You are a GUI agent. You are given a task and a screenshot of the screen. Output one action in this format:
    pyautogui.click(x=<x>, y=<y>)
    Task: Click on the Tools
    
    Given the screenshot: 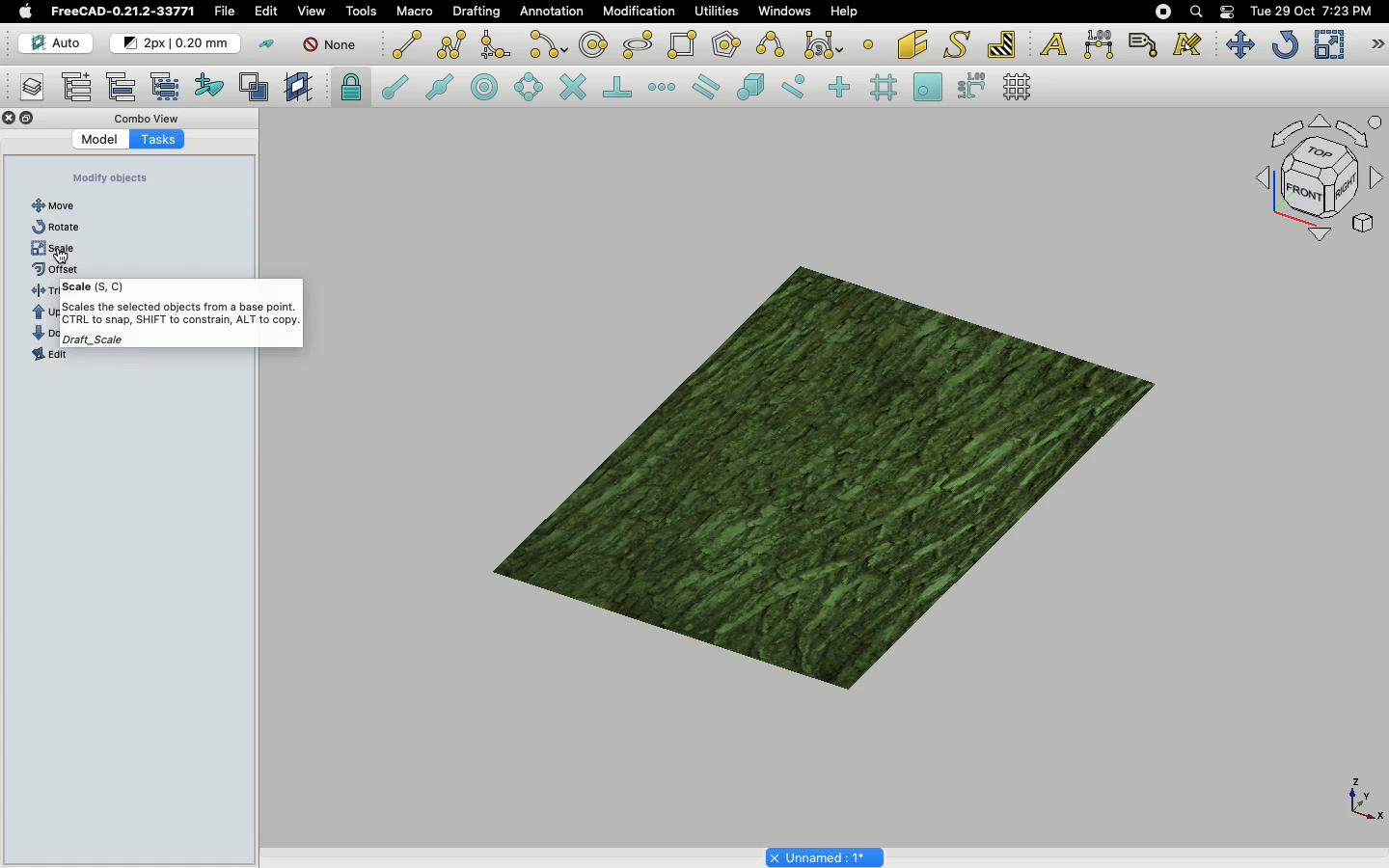 What is the action you would take?
    pyautogui.click(x=364, y=12)
    